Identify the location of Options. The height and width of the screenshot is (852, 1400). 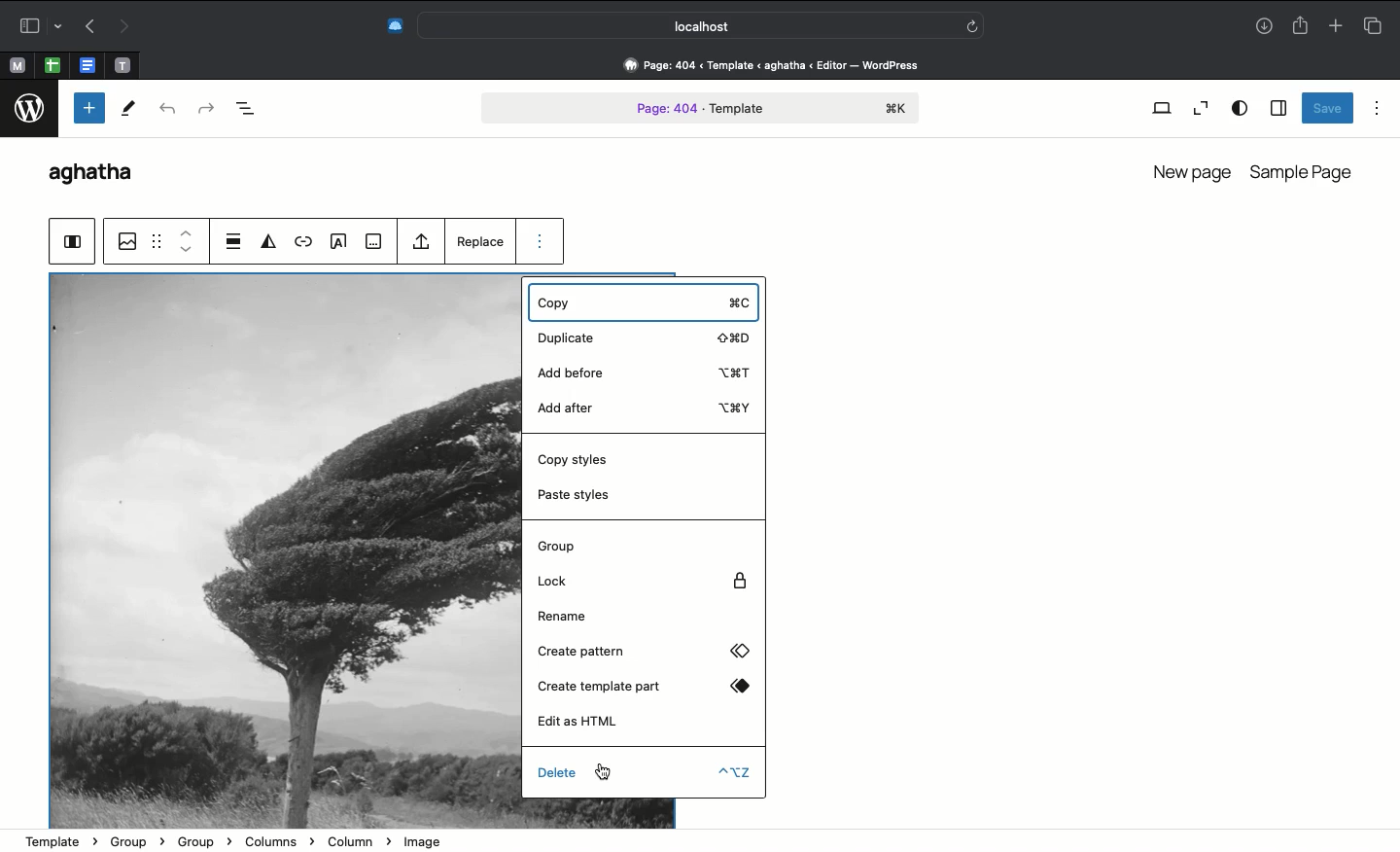
(541, 240).